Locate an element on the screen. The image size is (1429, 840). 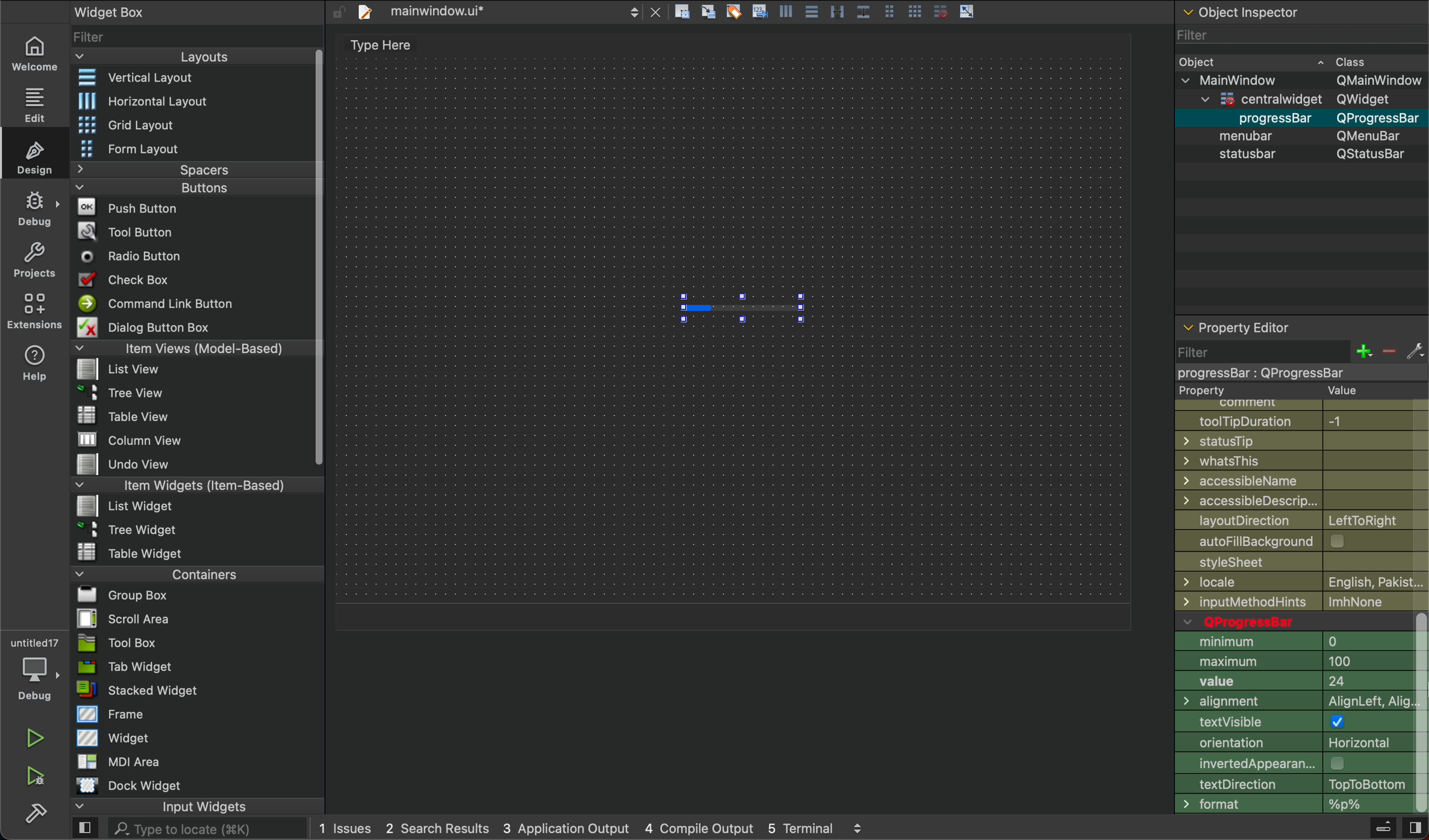
property editor is located at coordinates (1240, 323).